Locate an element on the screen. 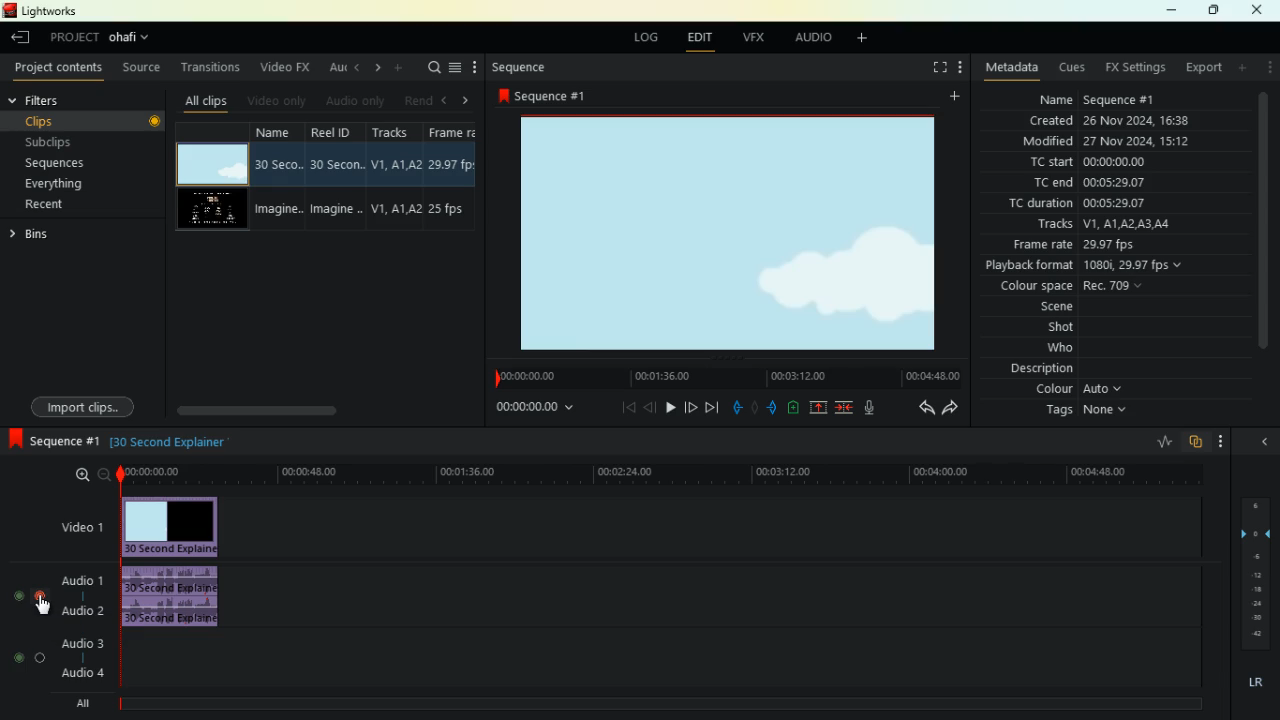 Image resolution: width=1280 pixels, height=720 pixels. ALL timeline track is located at coordinates (667, 703).